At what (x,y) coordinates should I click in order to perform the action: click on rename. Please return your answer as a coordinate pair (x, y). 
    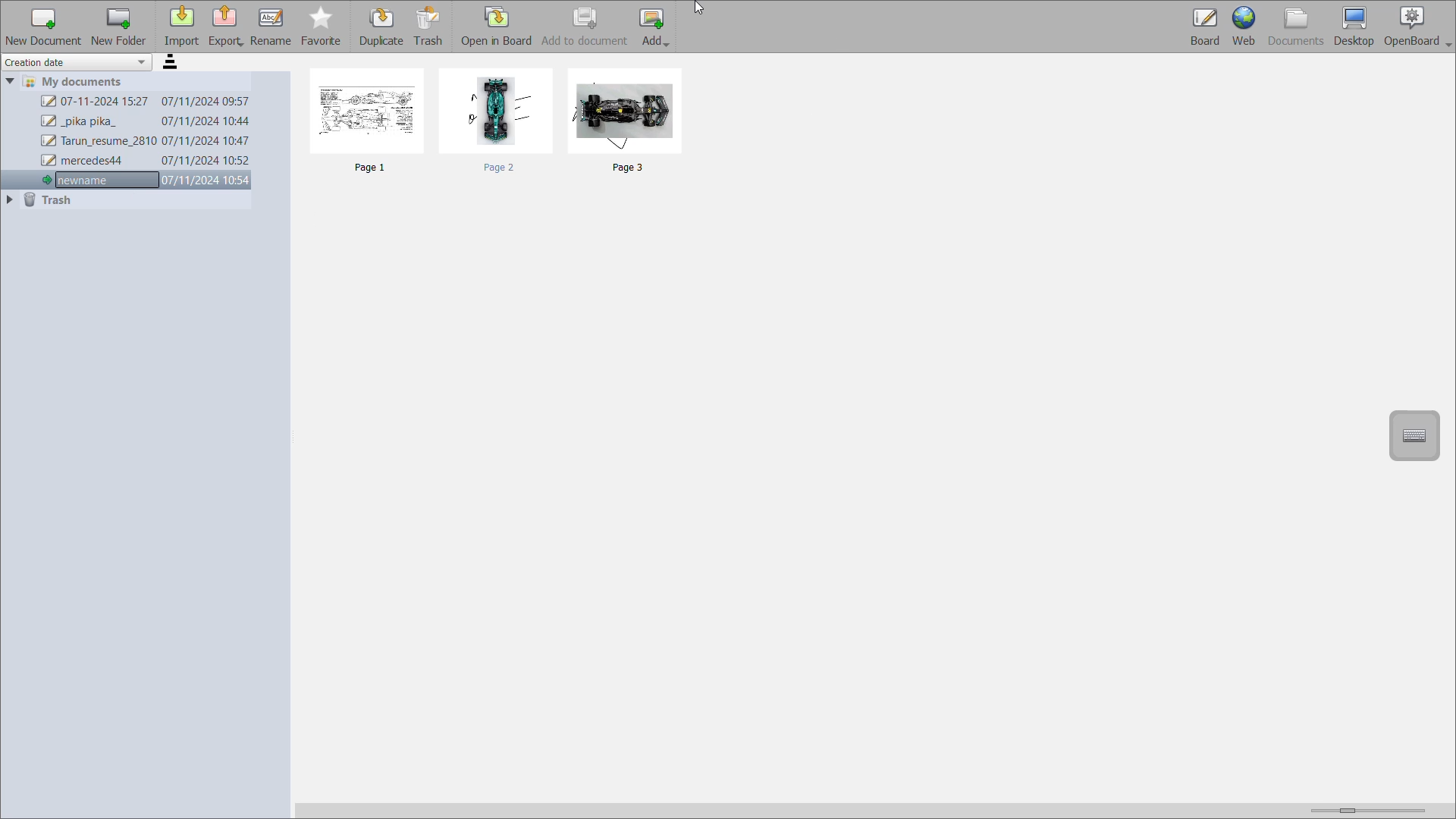
    Looking at the image, I should click on (273, 27).